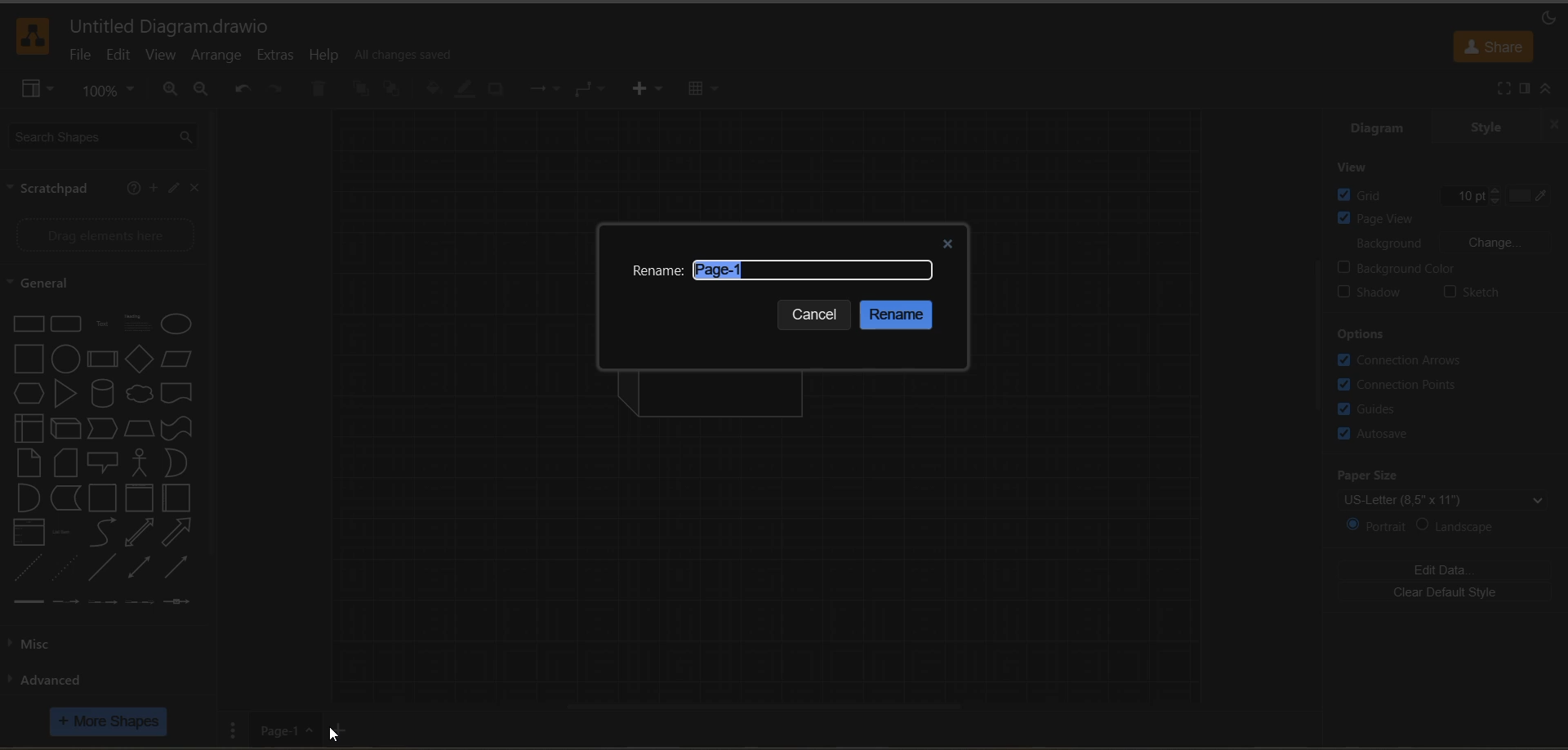 The image size is (1568, 750). I want to click on table, so click(704, 92).